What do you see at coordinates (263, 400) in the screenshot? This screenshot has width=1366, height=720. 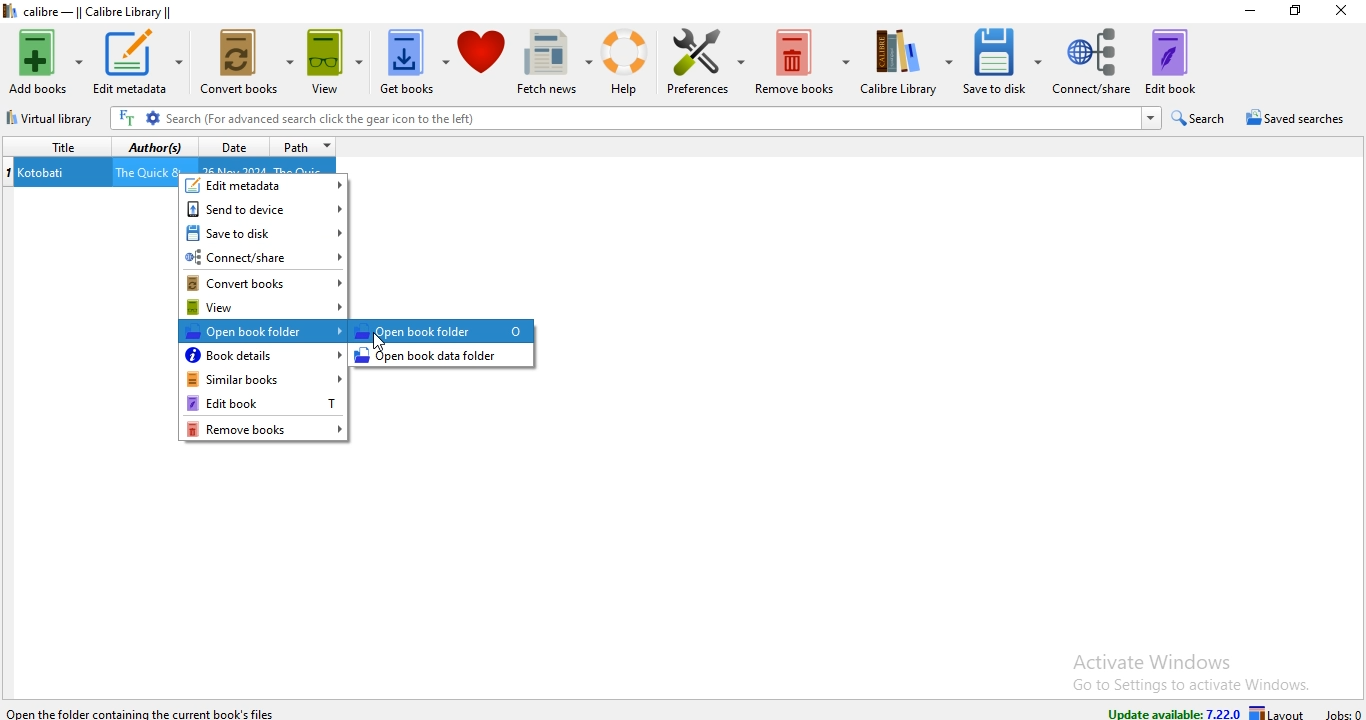 I see `edit book   T` at bounding box center [263, 400].